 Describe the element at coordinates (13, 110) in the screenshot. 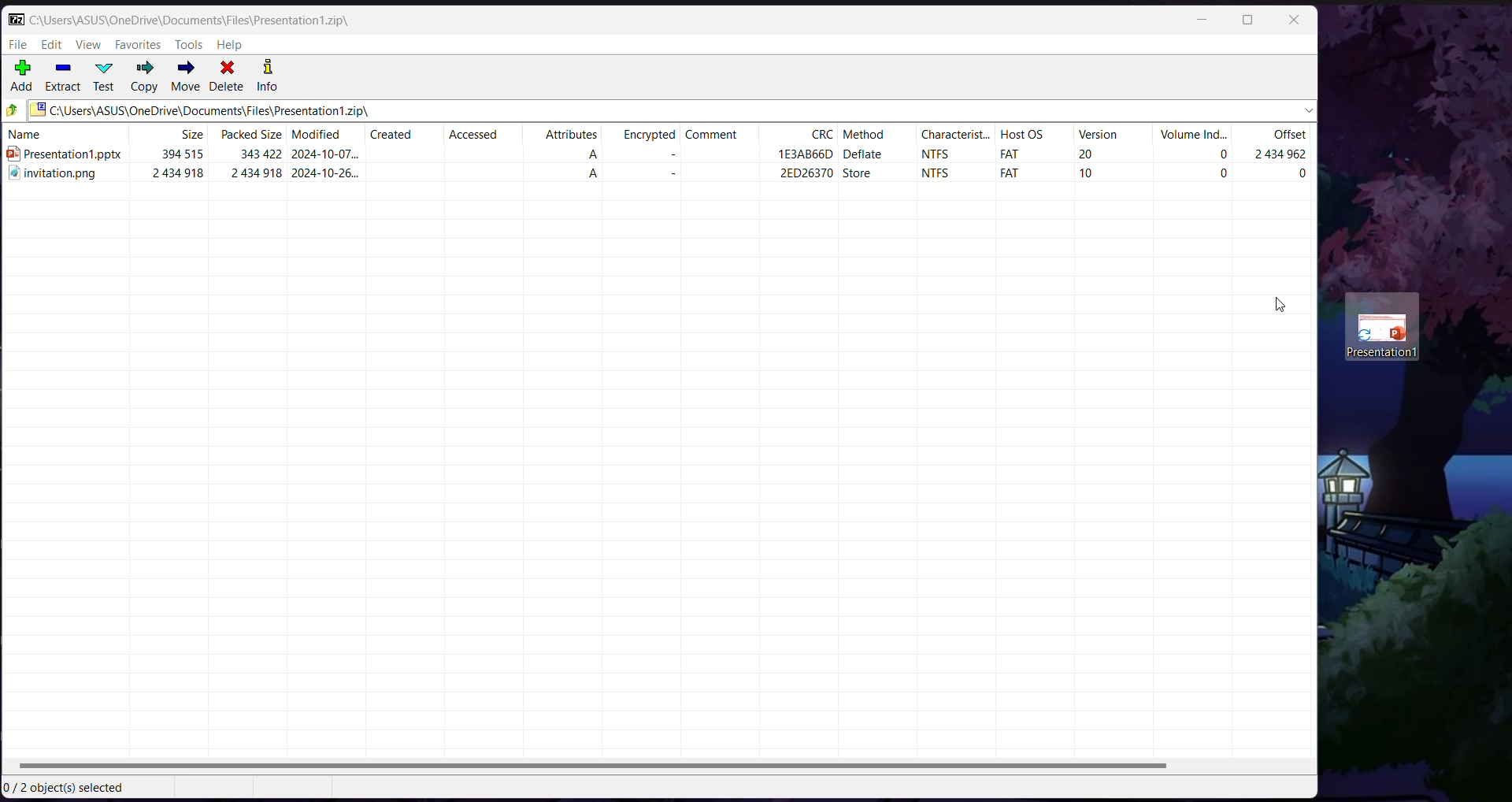

I see `Move Up one level` at that location.